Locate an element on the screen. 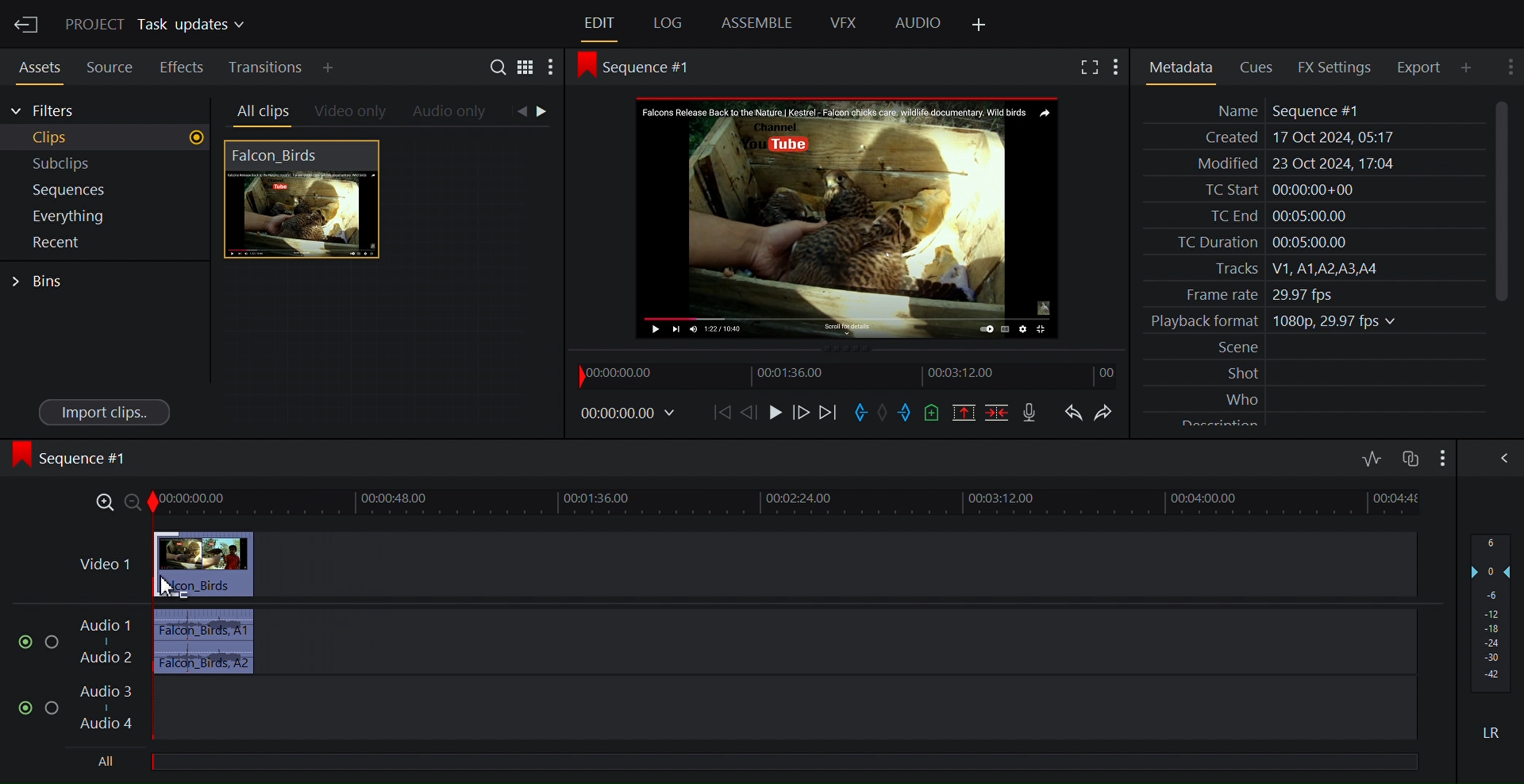 This screenshot has height=784, width=1524. Audio is located at coordinates (918, 24).